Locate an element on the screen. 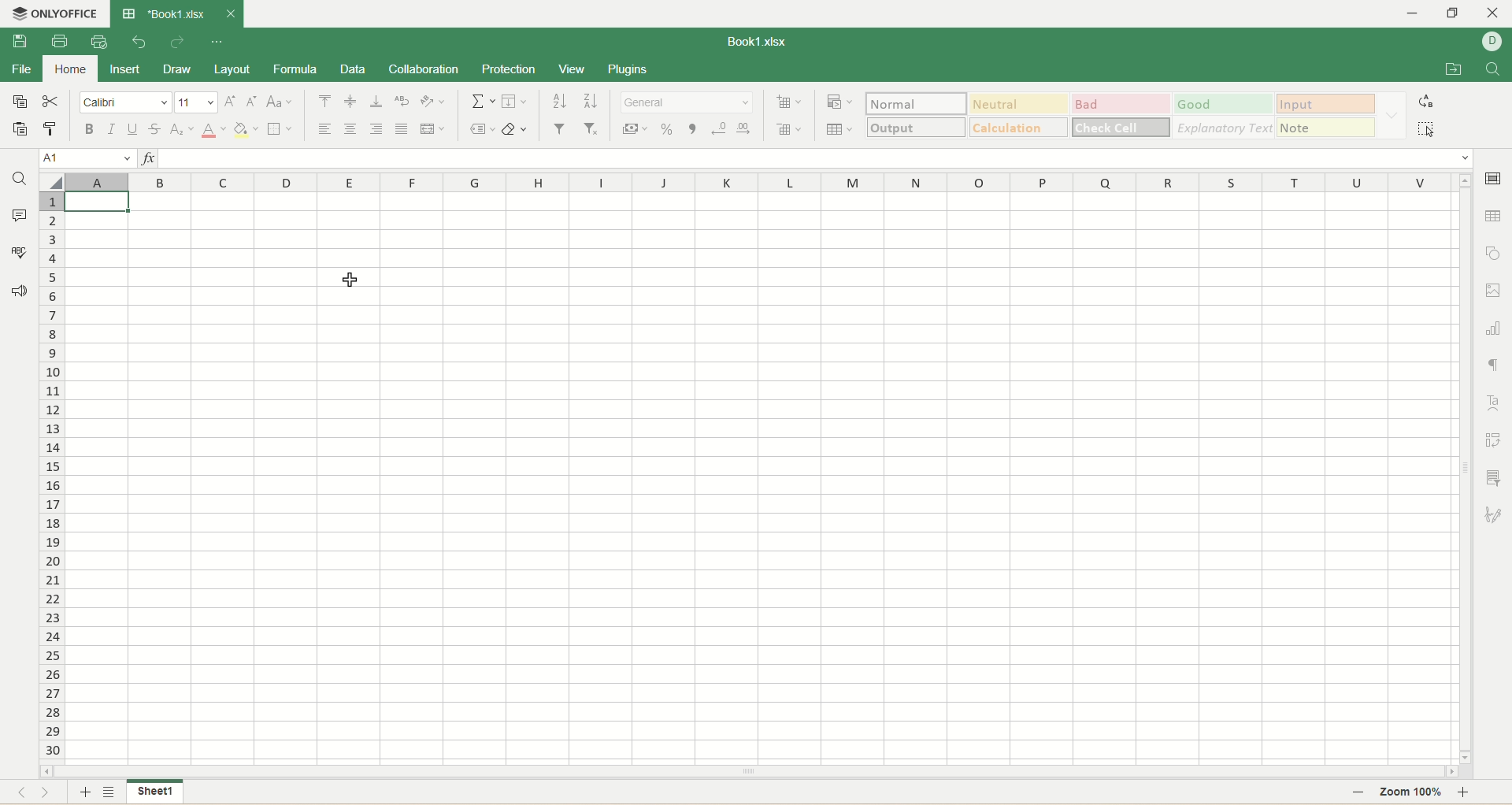  layout is located at coordinates (233, 71).